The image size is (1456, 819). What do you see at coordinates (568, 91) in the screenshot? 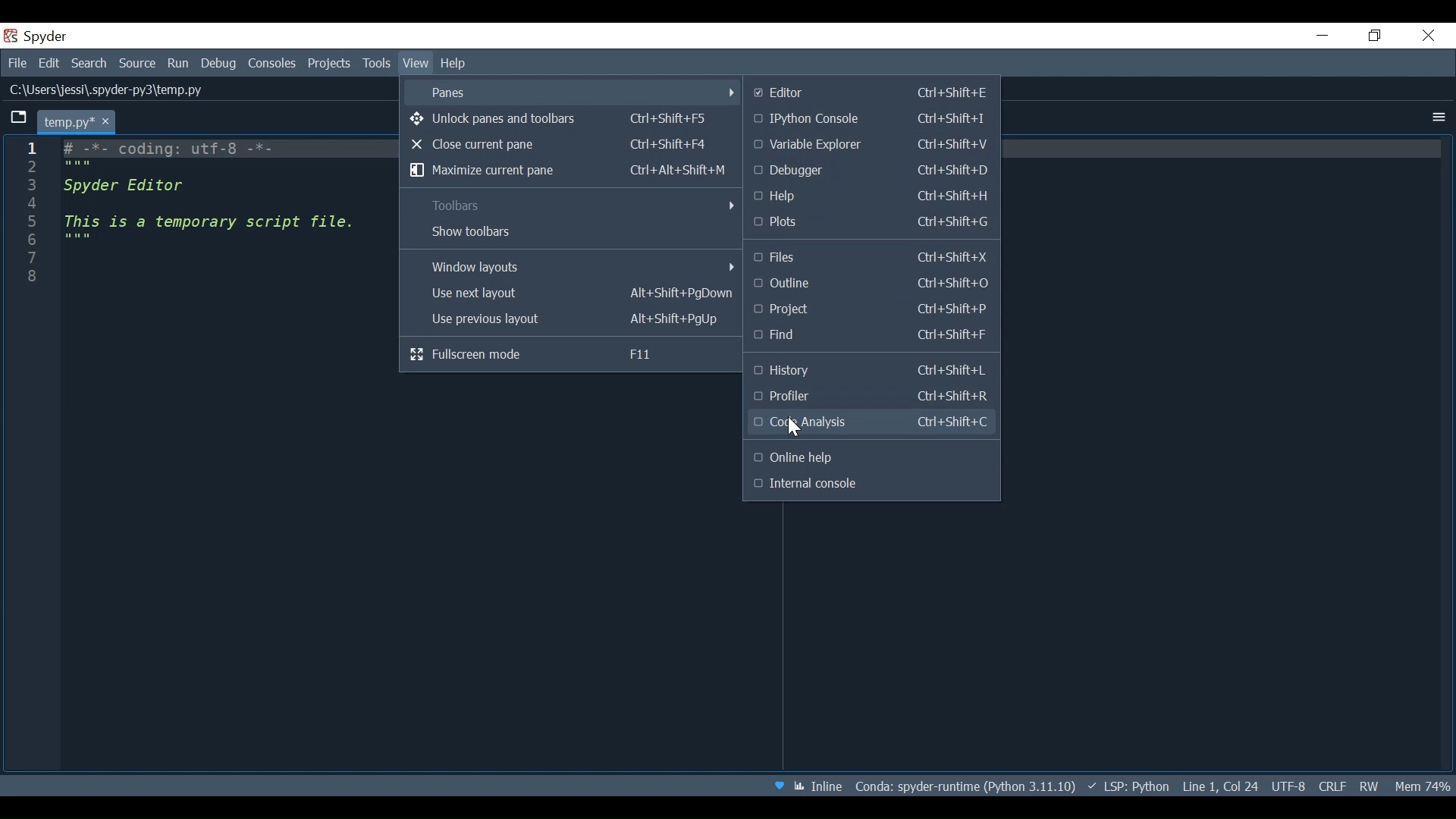
I see `Panes` at bounding box center [568, 91].